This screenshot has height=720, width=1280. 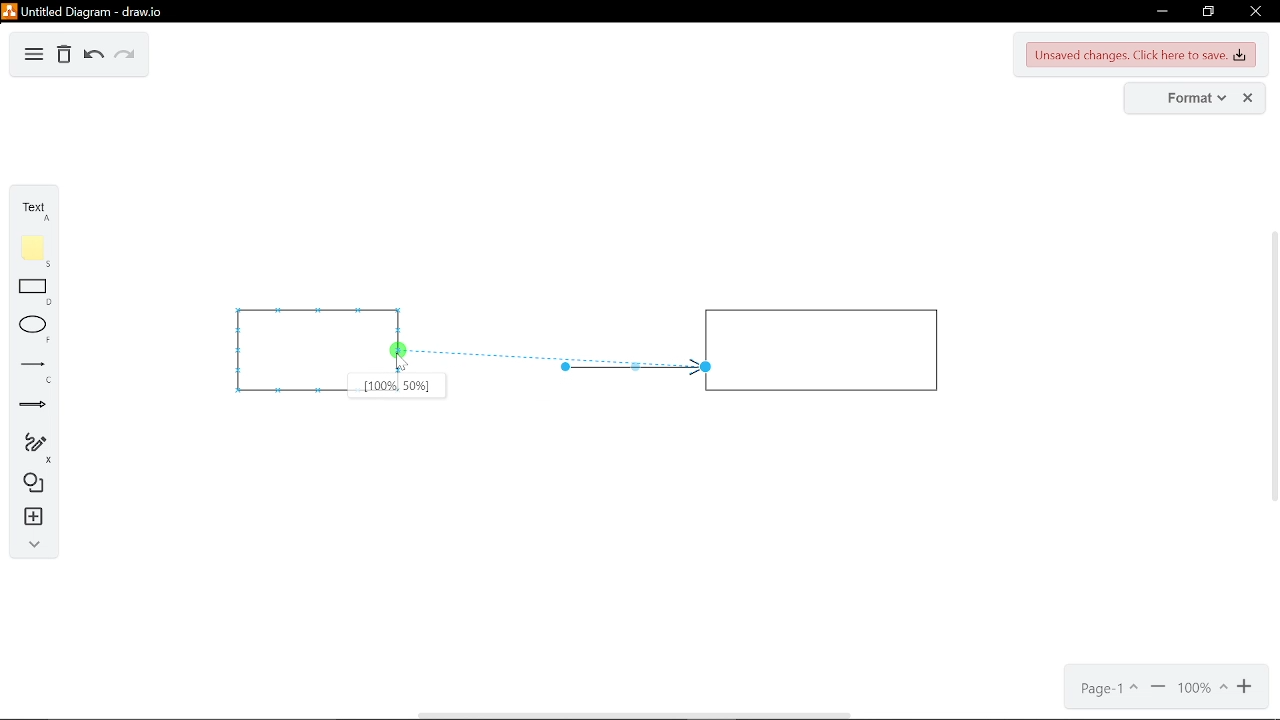 I want to click on ellipse, so click(x=30, y=330).